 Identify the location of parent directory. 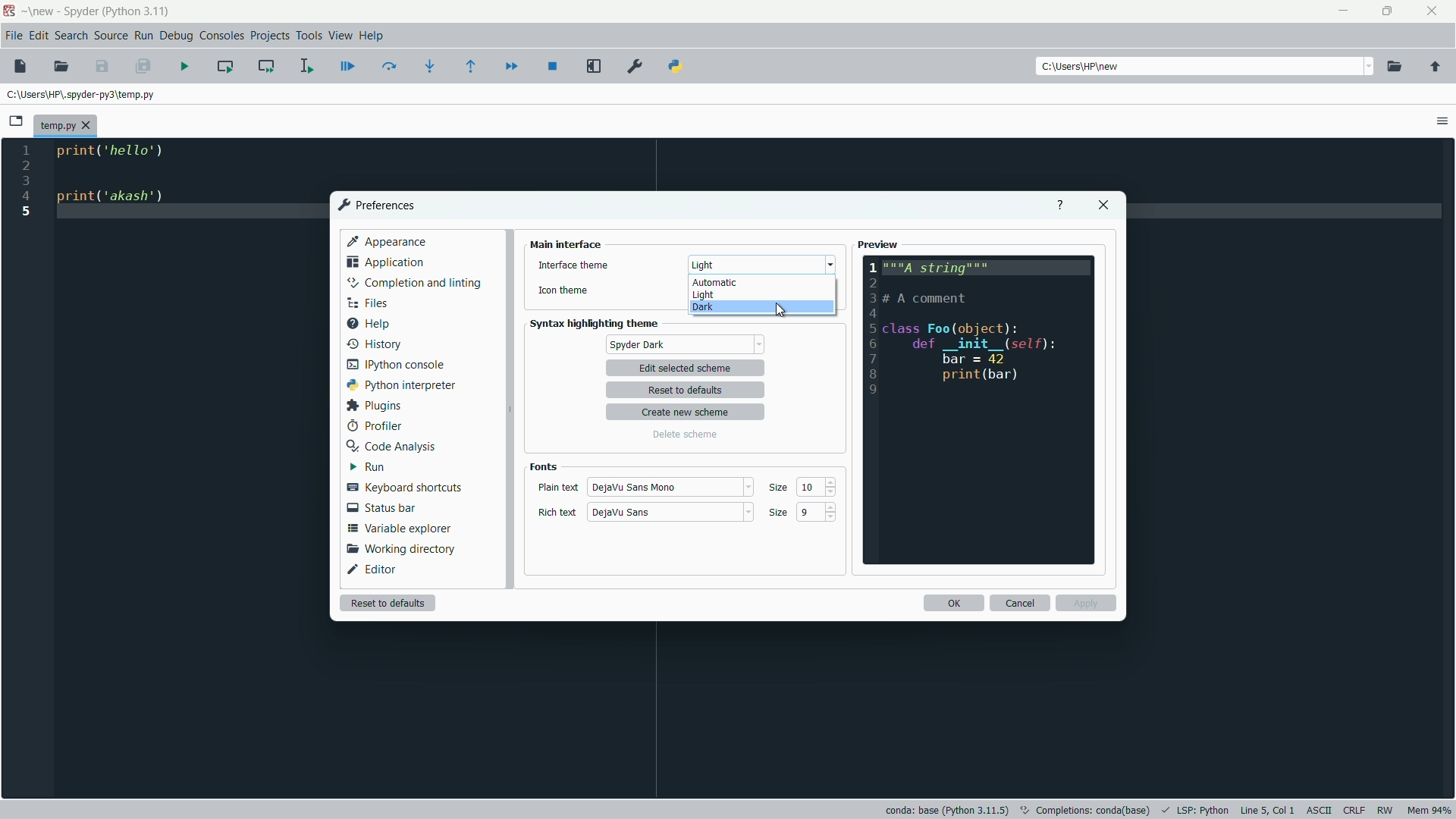
(1435, 67).